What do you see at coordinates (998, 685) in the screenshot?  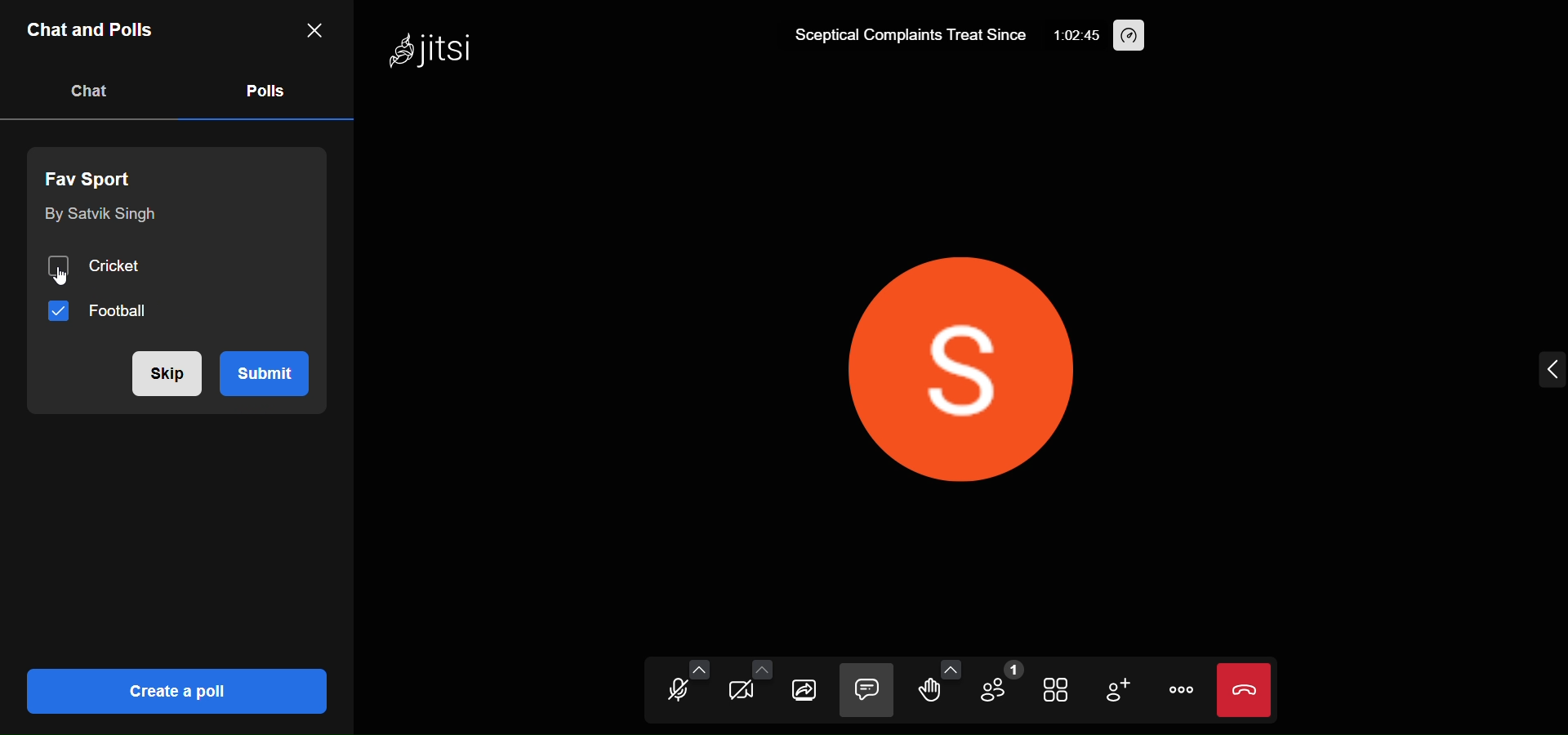 I see `participant` at bounding box center [998, 685].